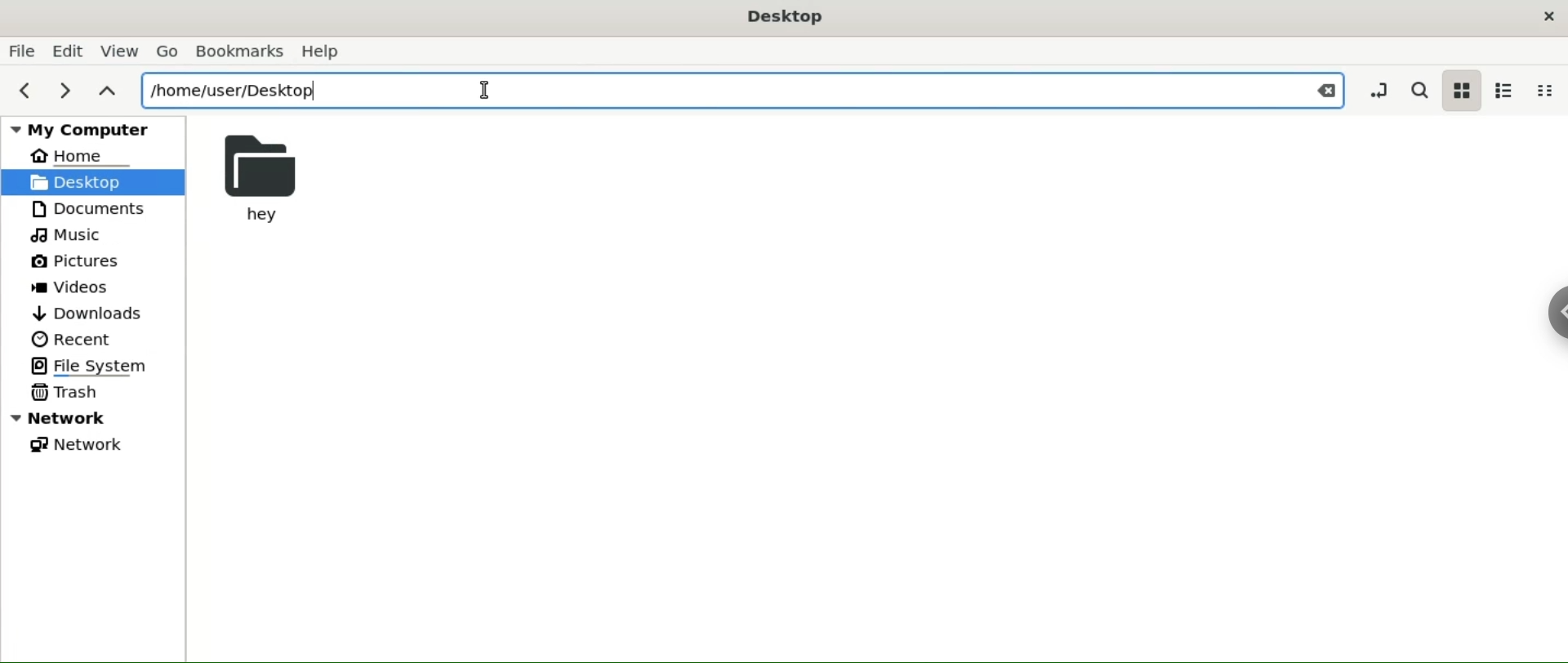  I want to click on music, so click(71, 234).